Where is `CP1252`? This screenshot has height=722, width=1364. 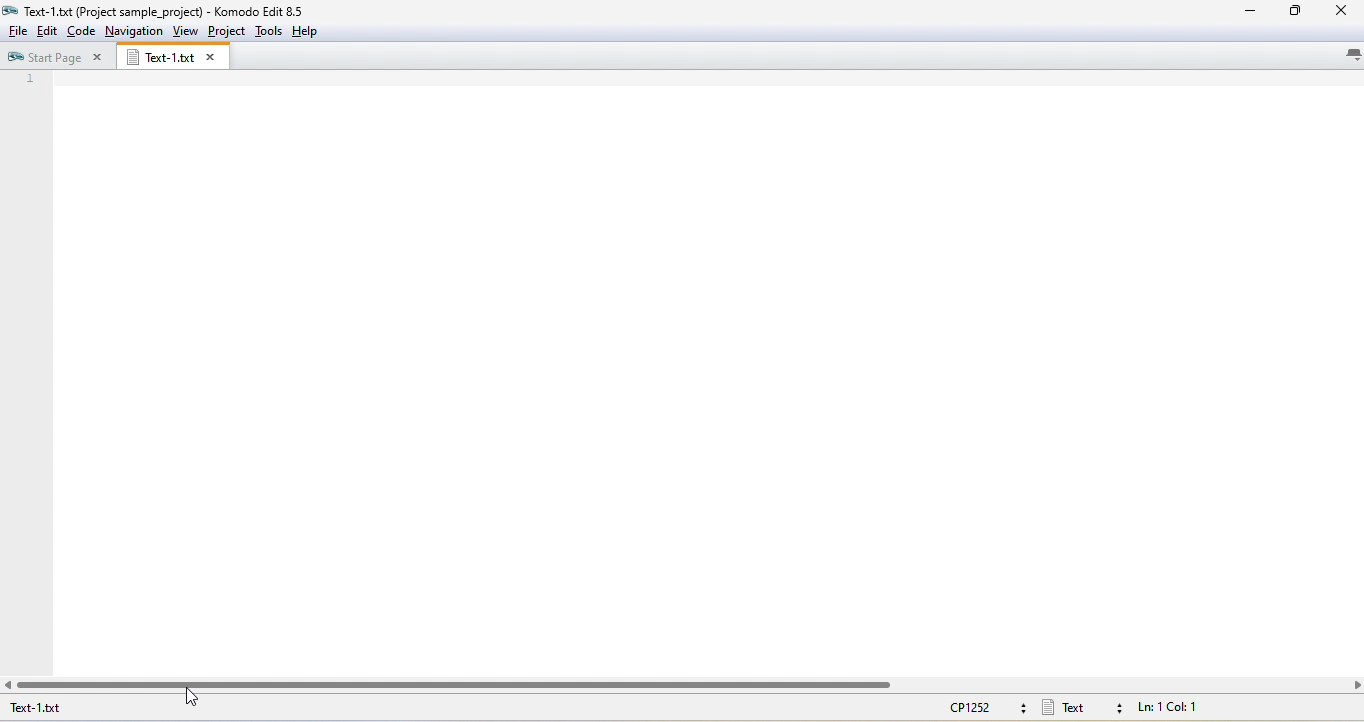
CP1252 is located at coordinates (984, 706).